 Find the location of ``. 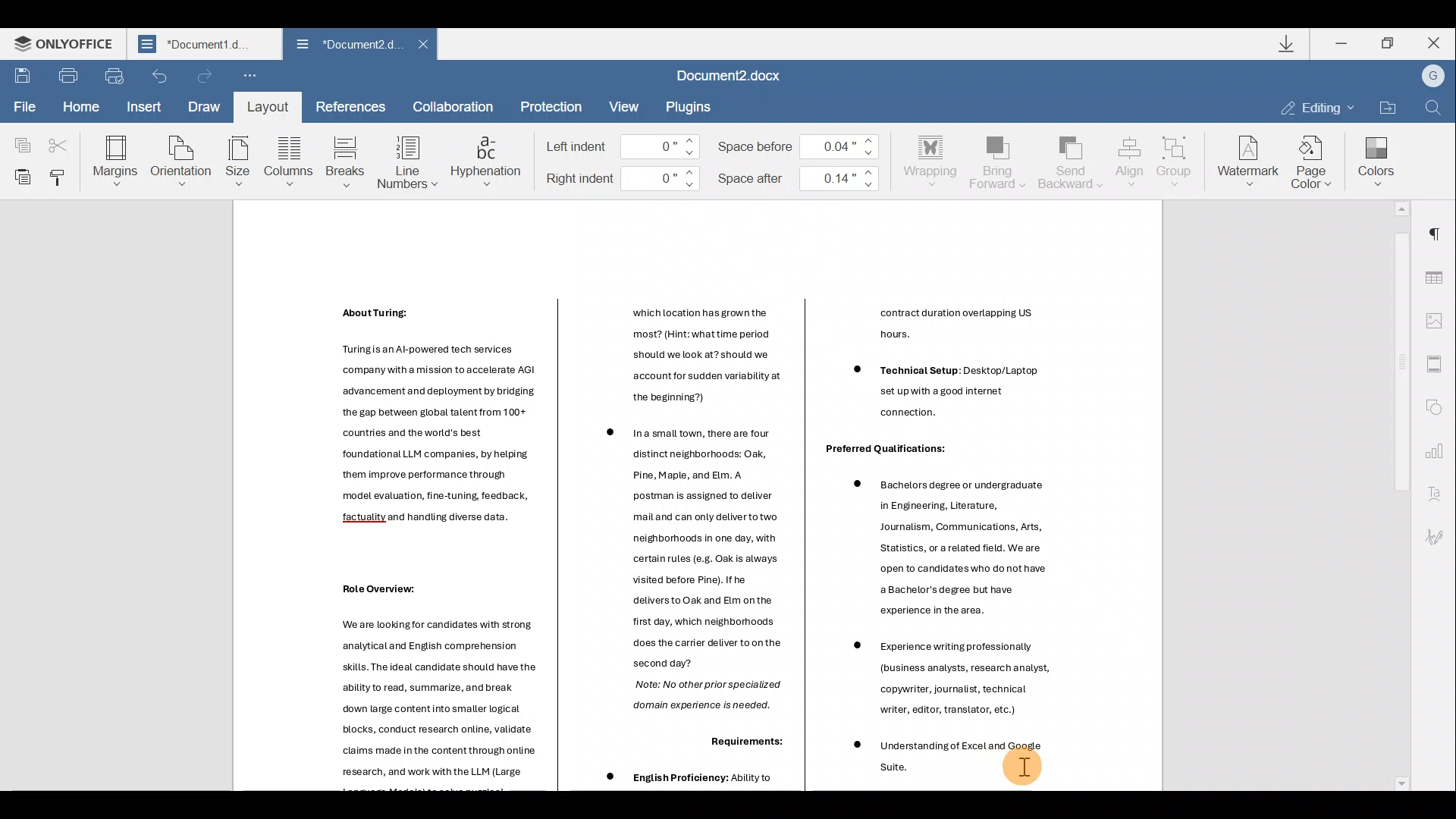

 is located at coordinates (941, 362).